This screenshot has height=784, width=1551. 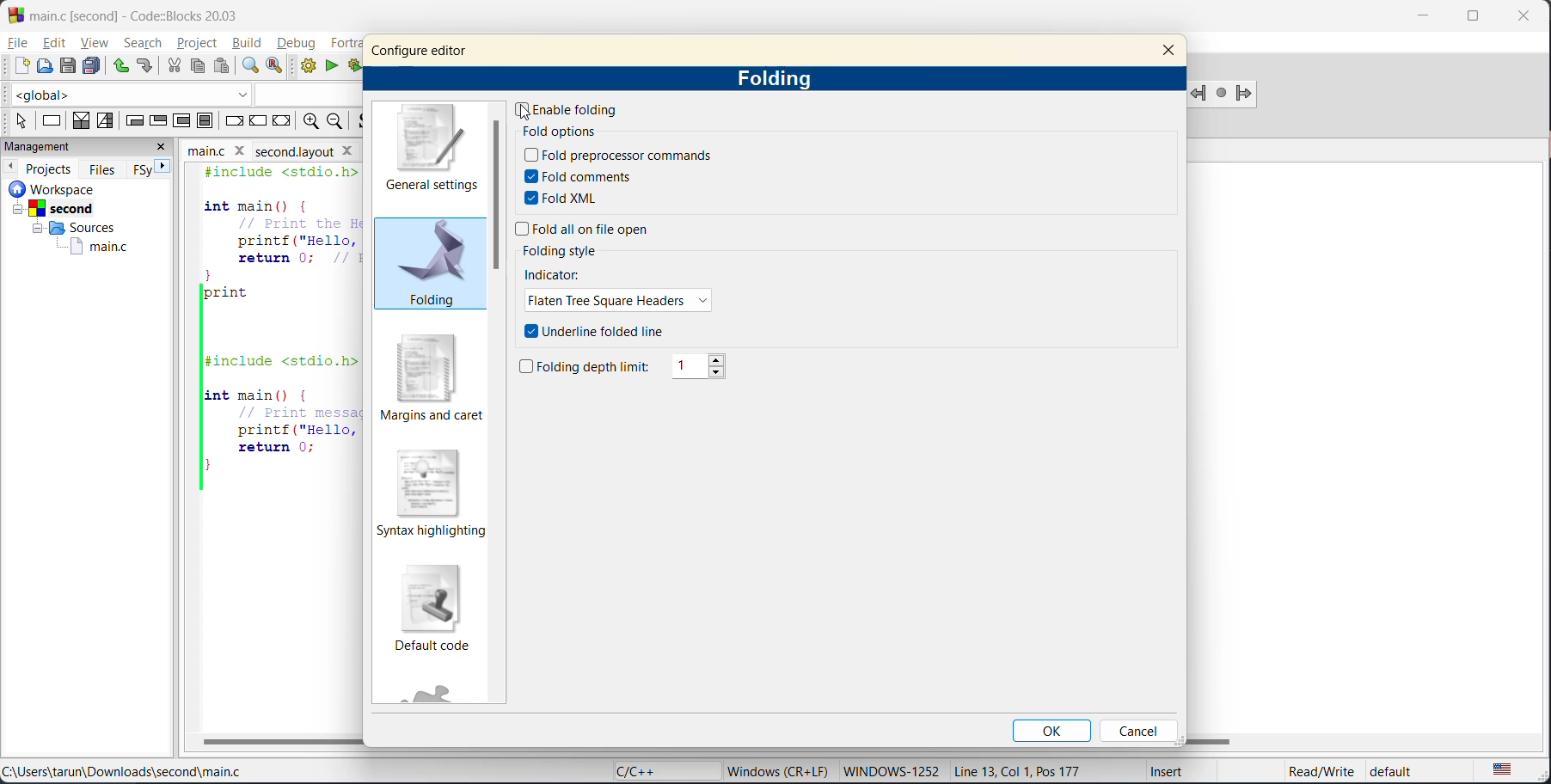 I want to click on open, so click(x=43, y=67).